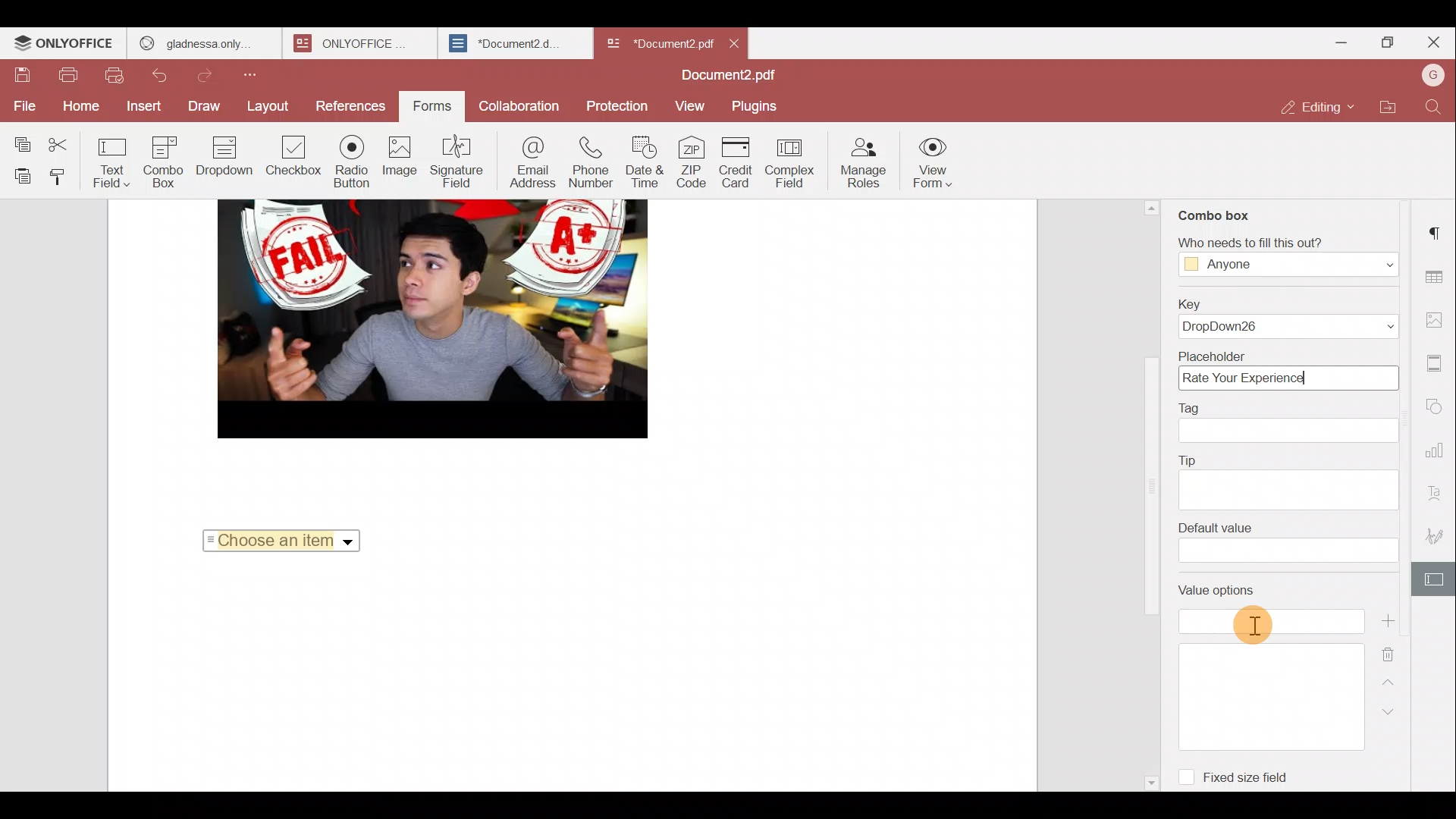 The width and height of the screenshot is (1456, 819). Describe the element at coordinates (531, 162) in the screenshot. I see `Email address` at that location.